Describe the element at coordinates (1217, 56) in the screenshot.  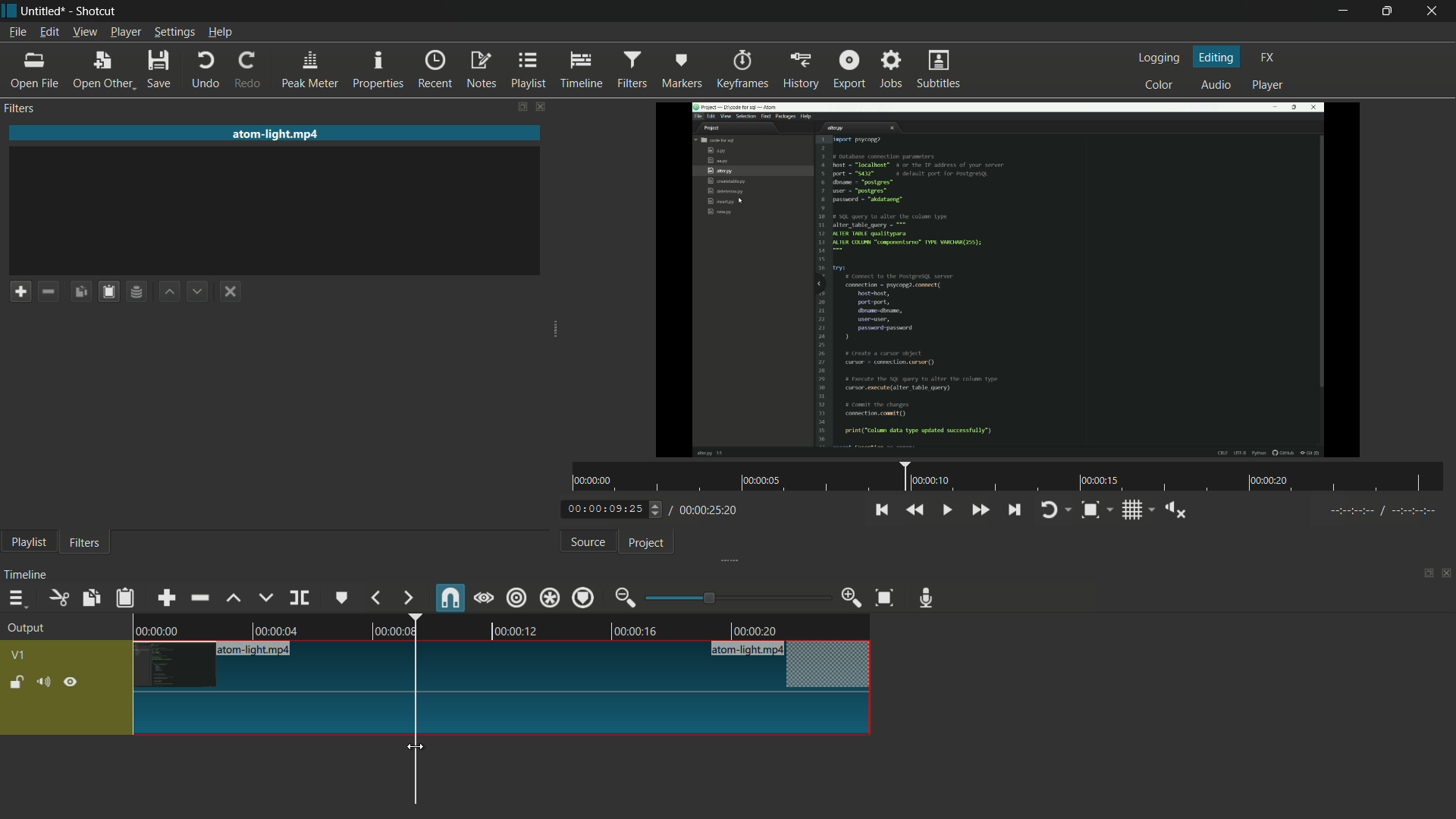
I see `editing` at that location.